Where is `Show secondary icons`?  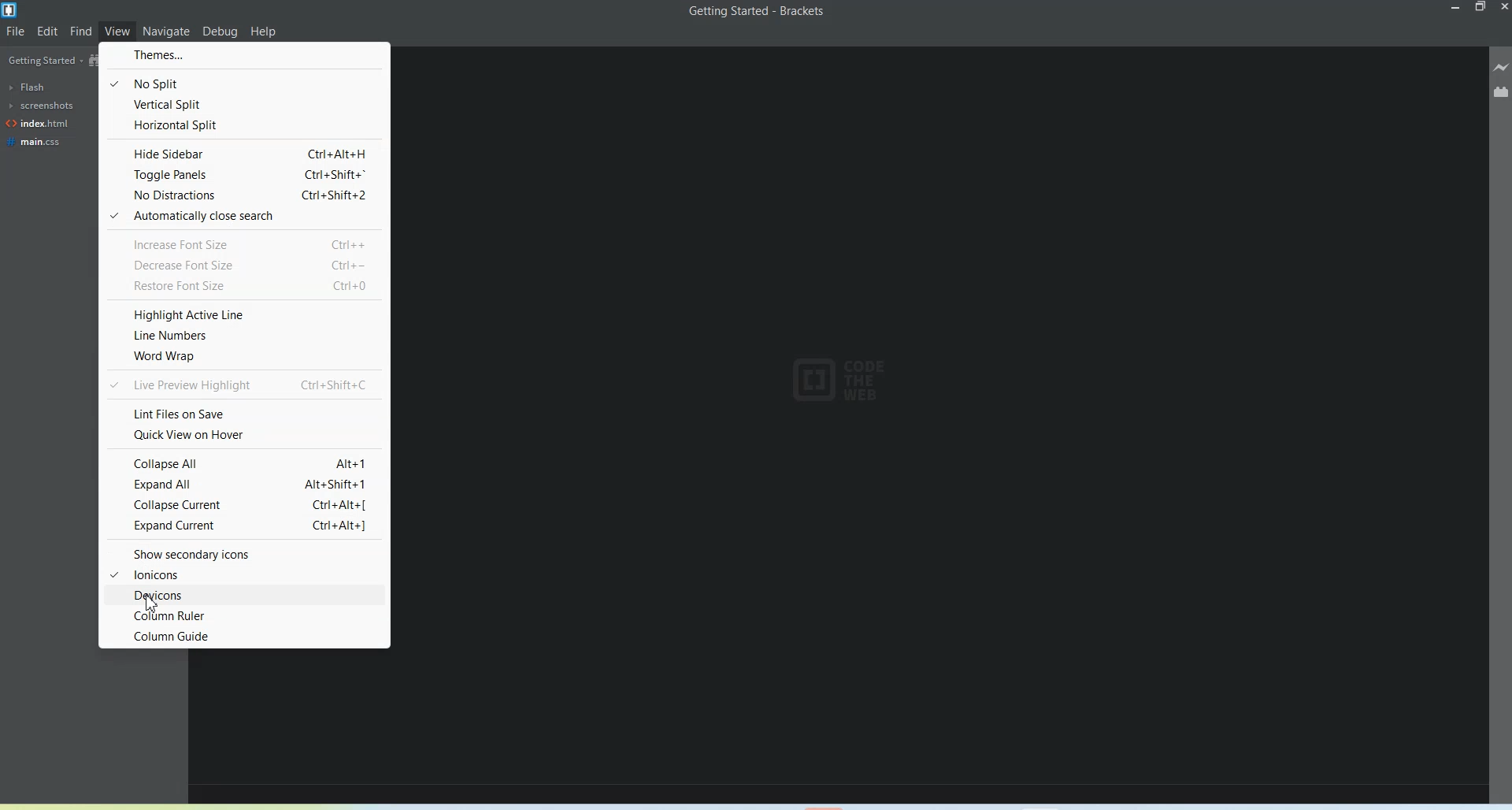 Show secondary icons is located at coordinates (246, 552).